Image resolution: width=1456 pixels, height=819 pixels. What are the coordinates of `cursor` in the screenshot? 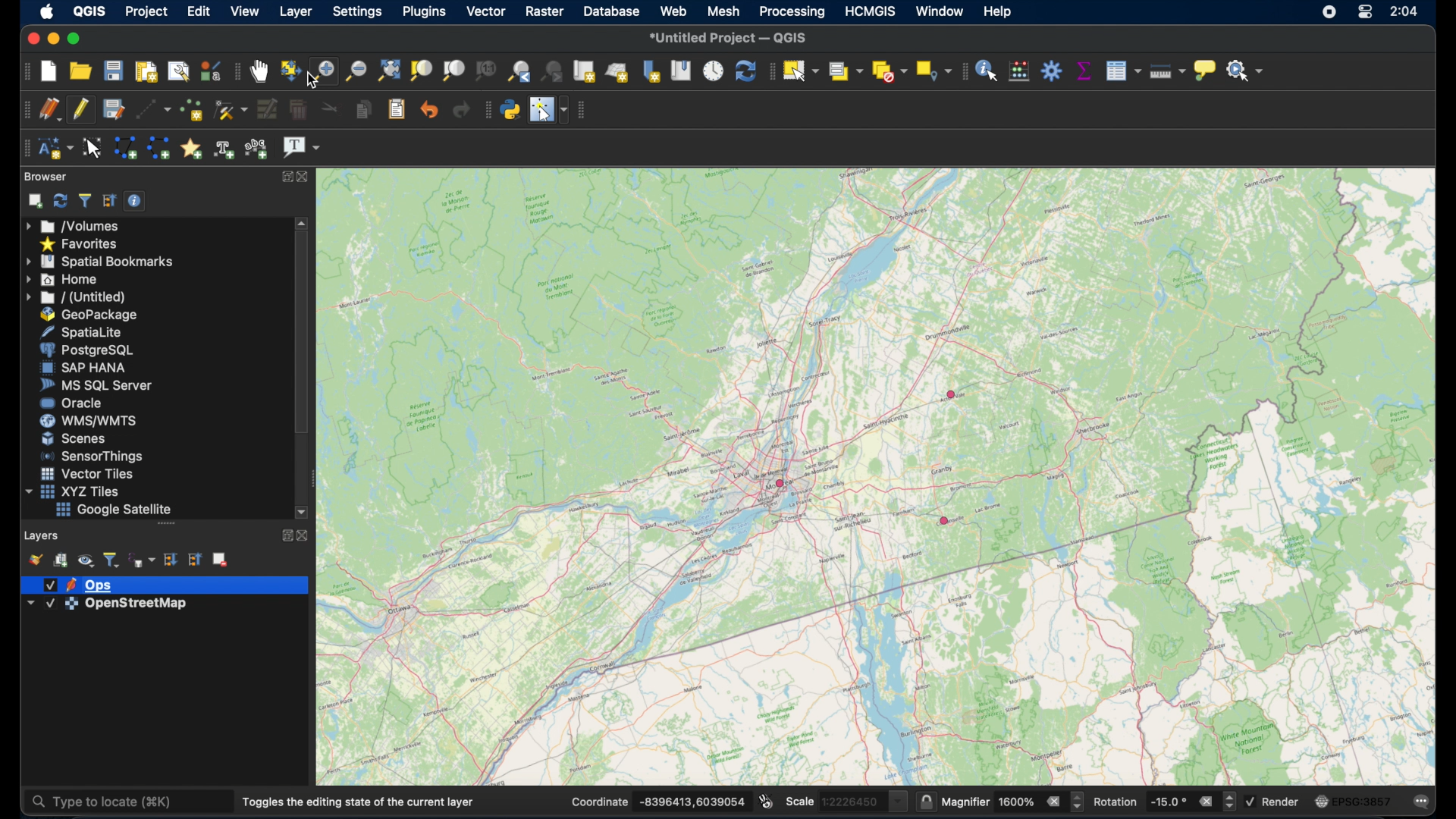 It's located at (313, 80).